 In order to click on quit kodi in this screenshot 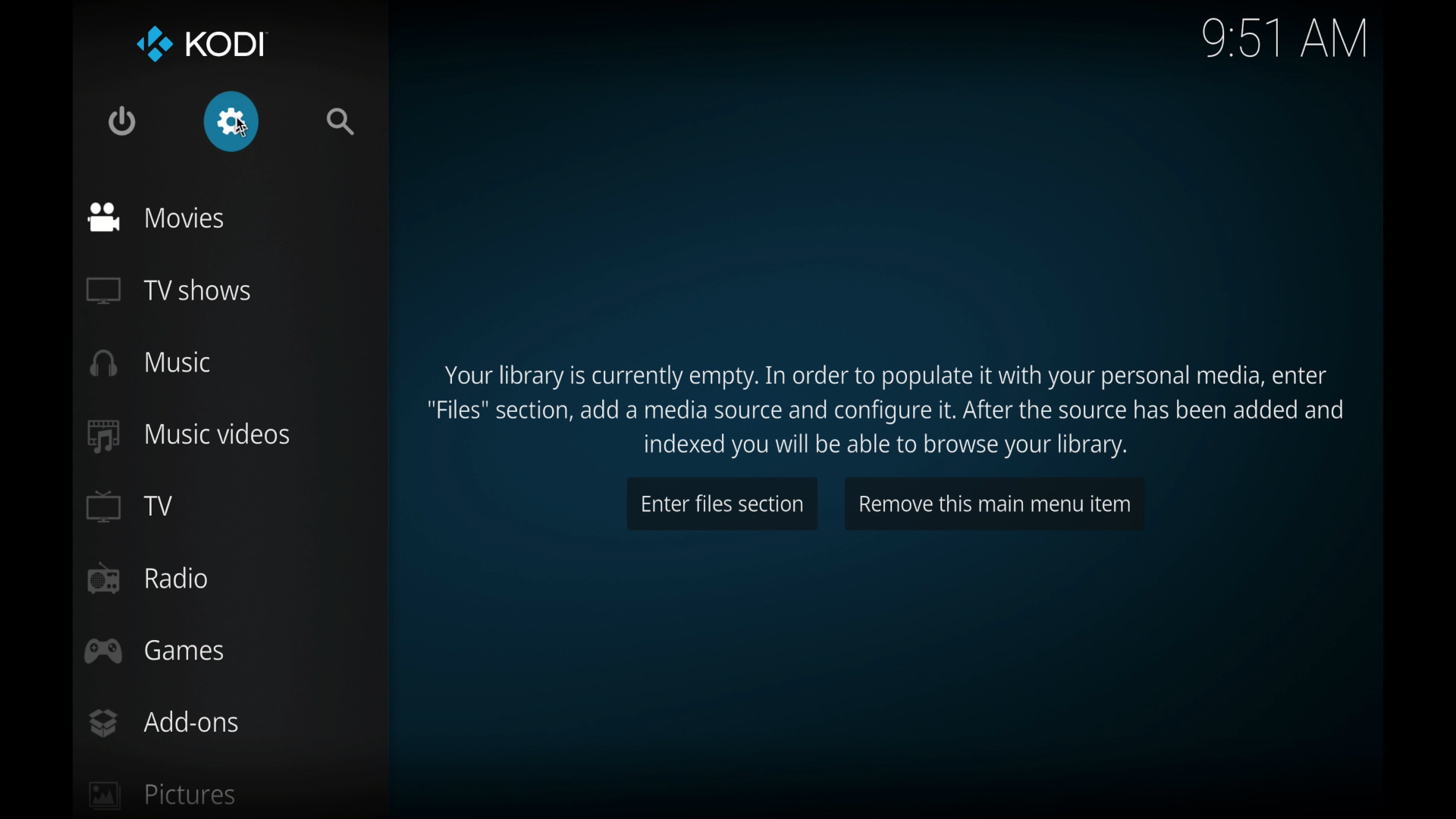, I will do `click(123, 121)`.